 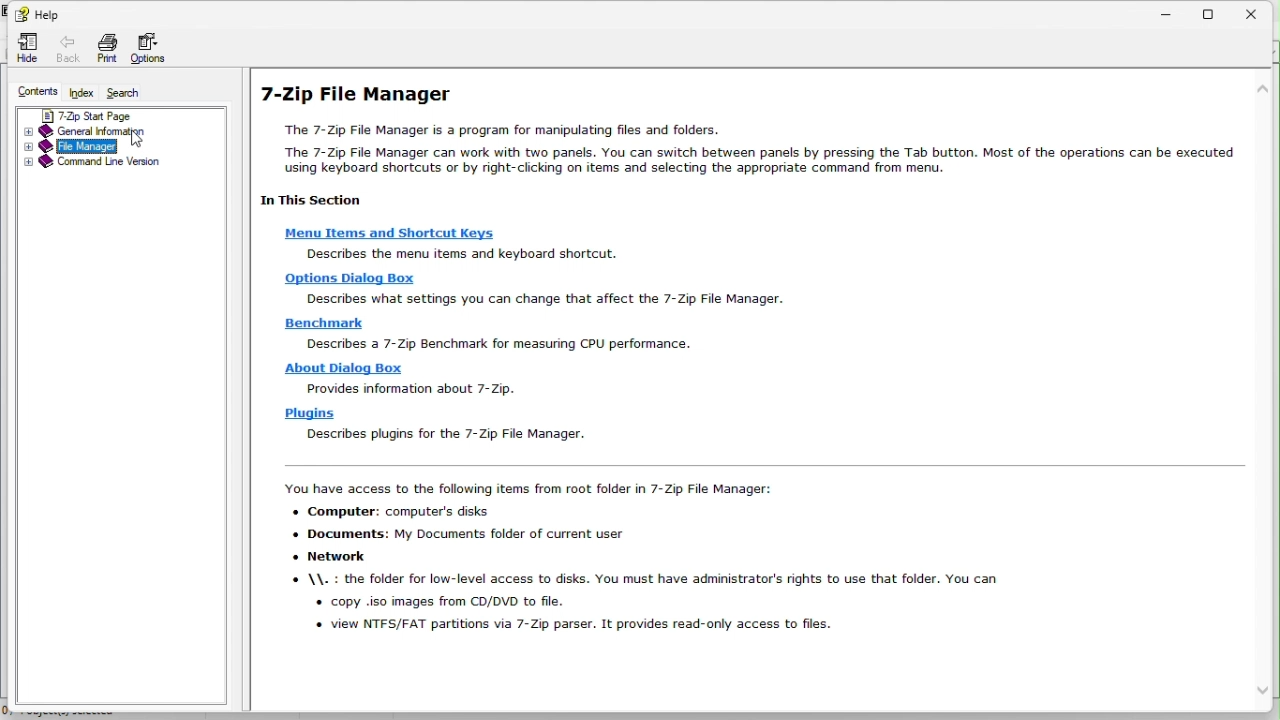 I want to click on 7 zip start page, so click(x=116, y=113).